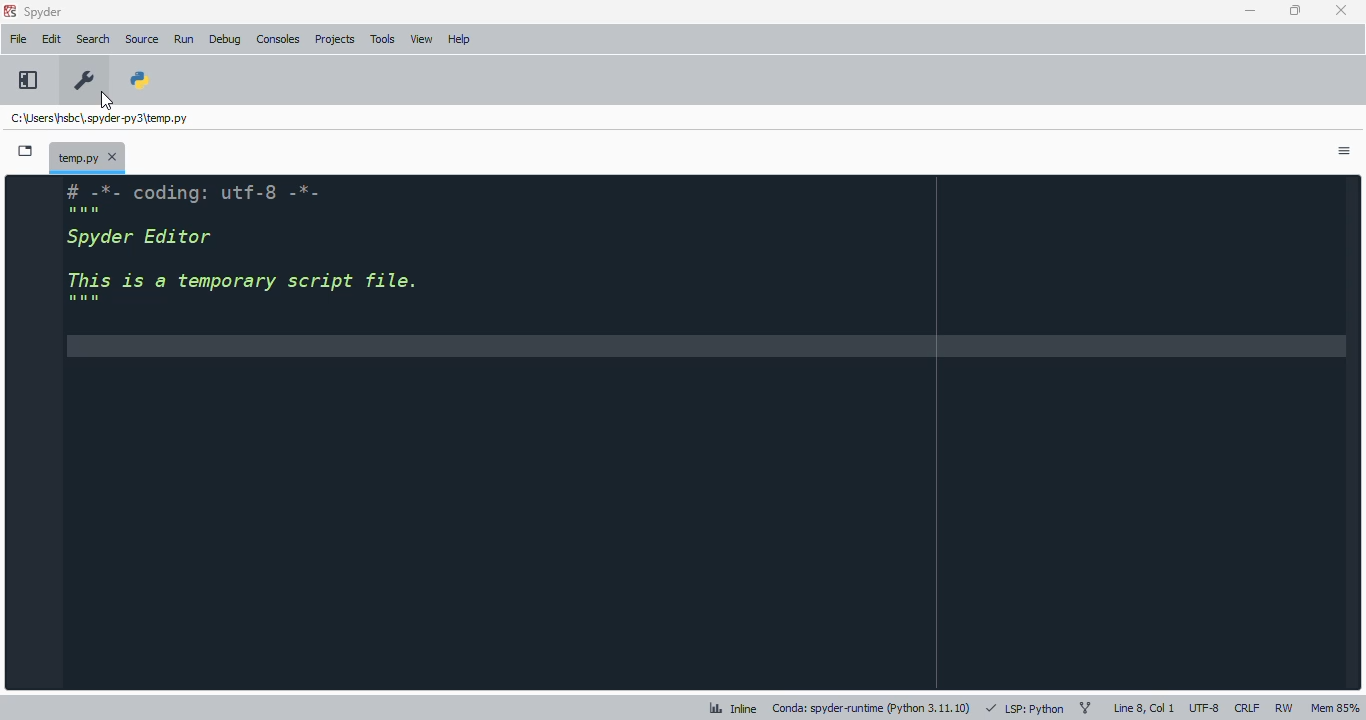 The height and width of the screenshot is (720, 1366). Describe the element at coordinates (26, 151) in the screenshot. I see `browse tabs` at that location.